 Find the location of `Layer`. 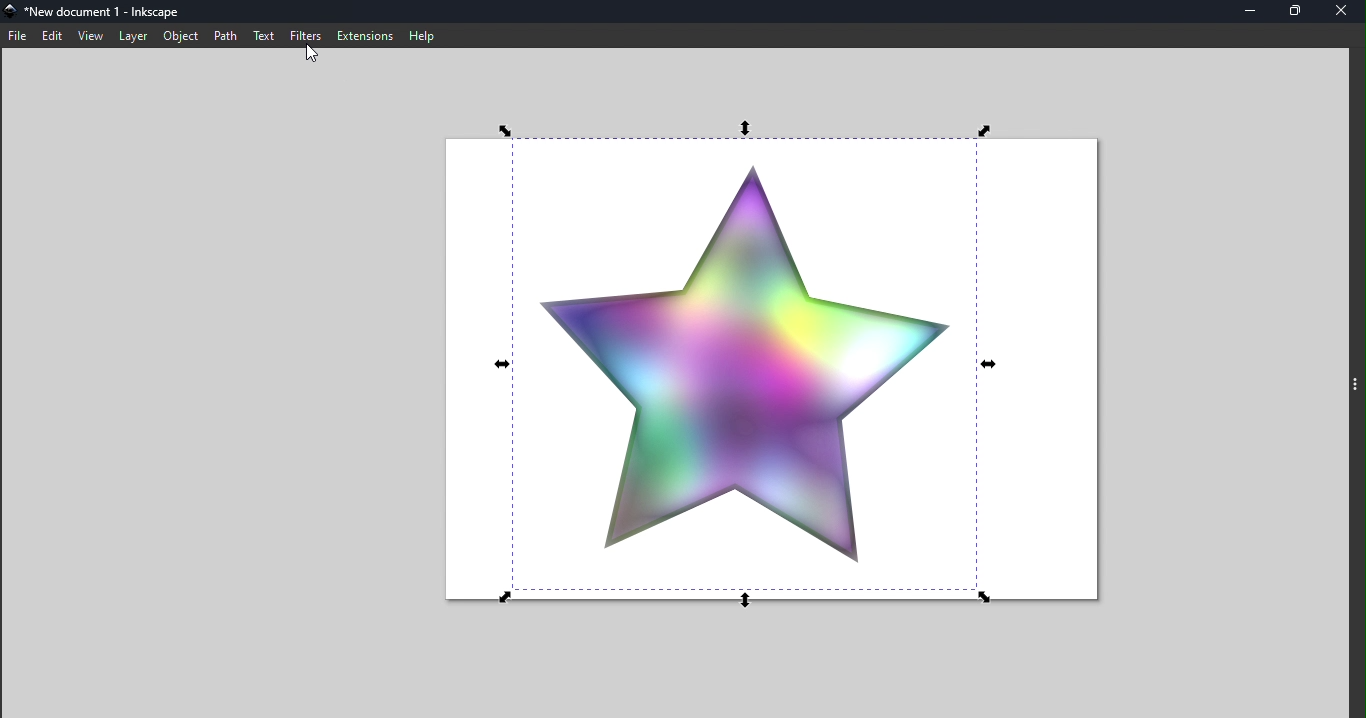

Layer is located at coordinates (131, 36).